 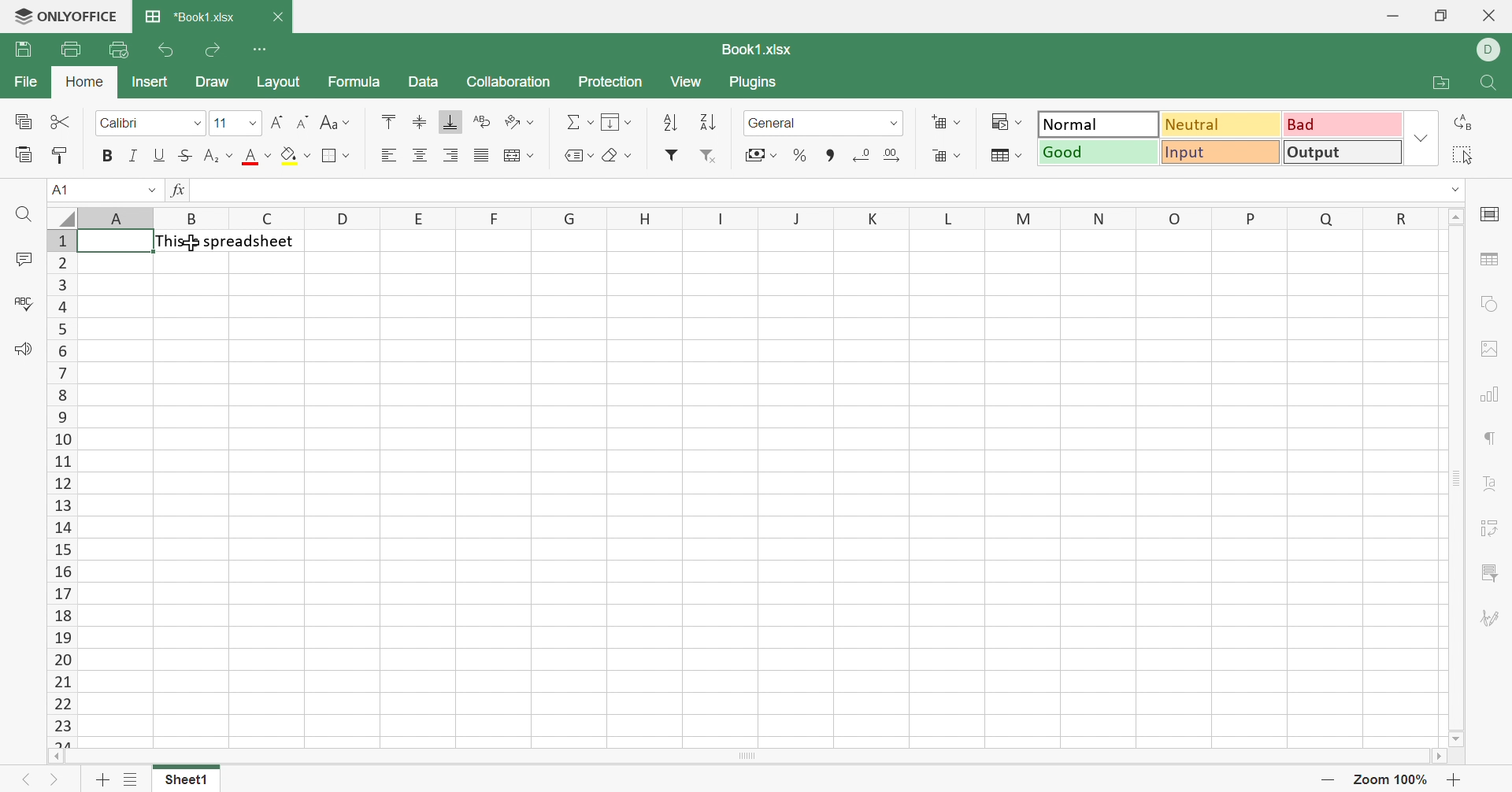 What do you see at coordinates (1221, 154) in the screenshot?
I see `Input` at bounding box center [1221, 154].